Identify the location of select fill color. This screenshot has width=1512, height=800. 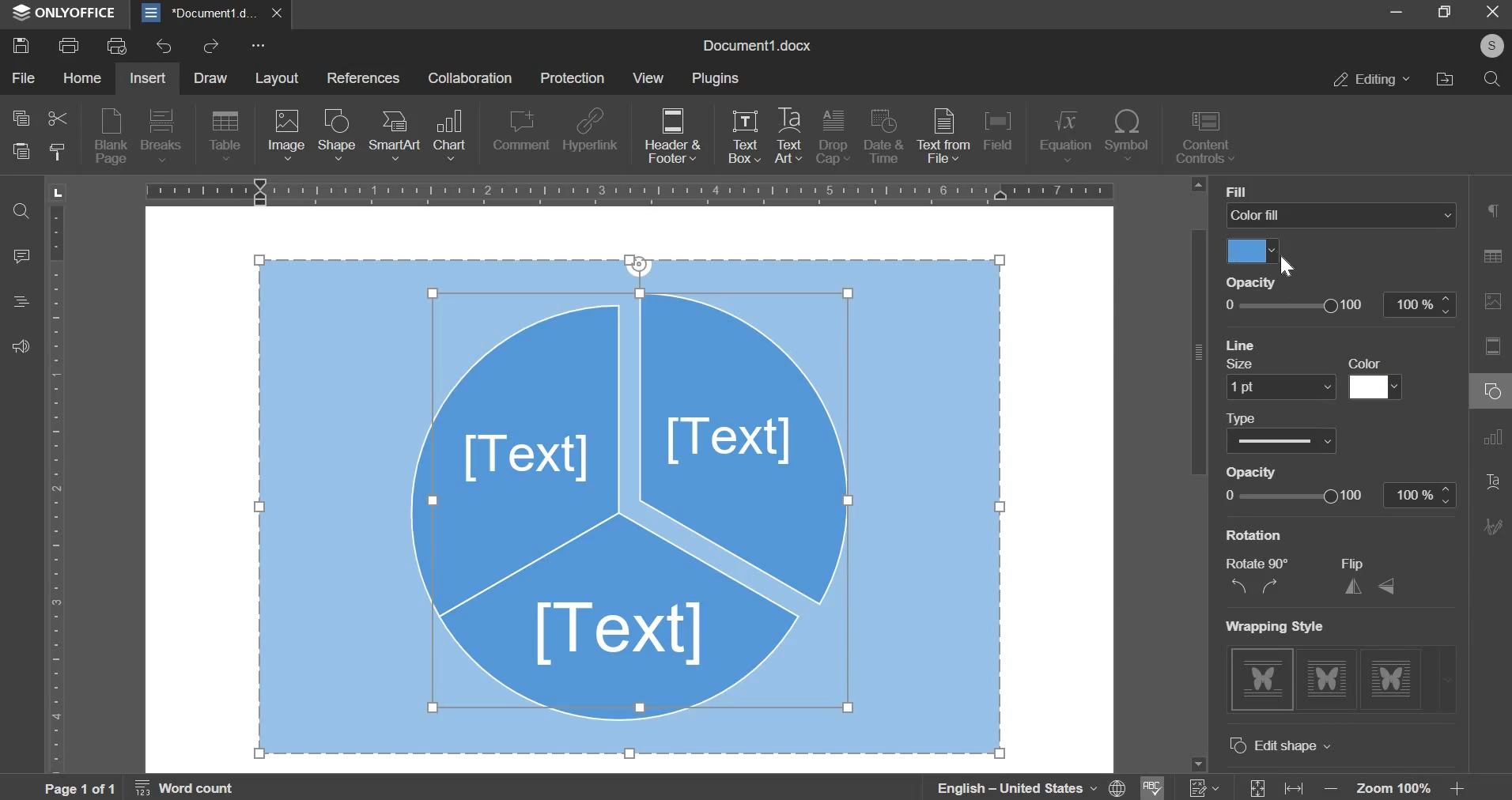
(1257, 250).